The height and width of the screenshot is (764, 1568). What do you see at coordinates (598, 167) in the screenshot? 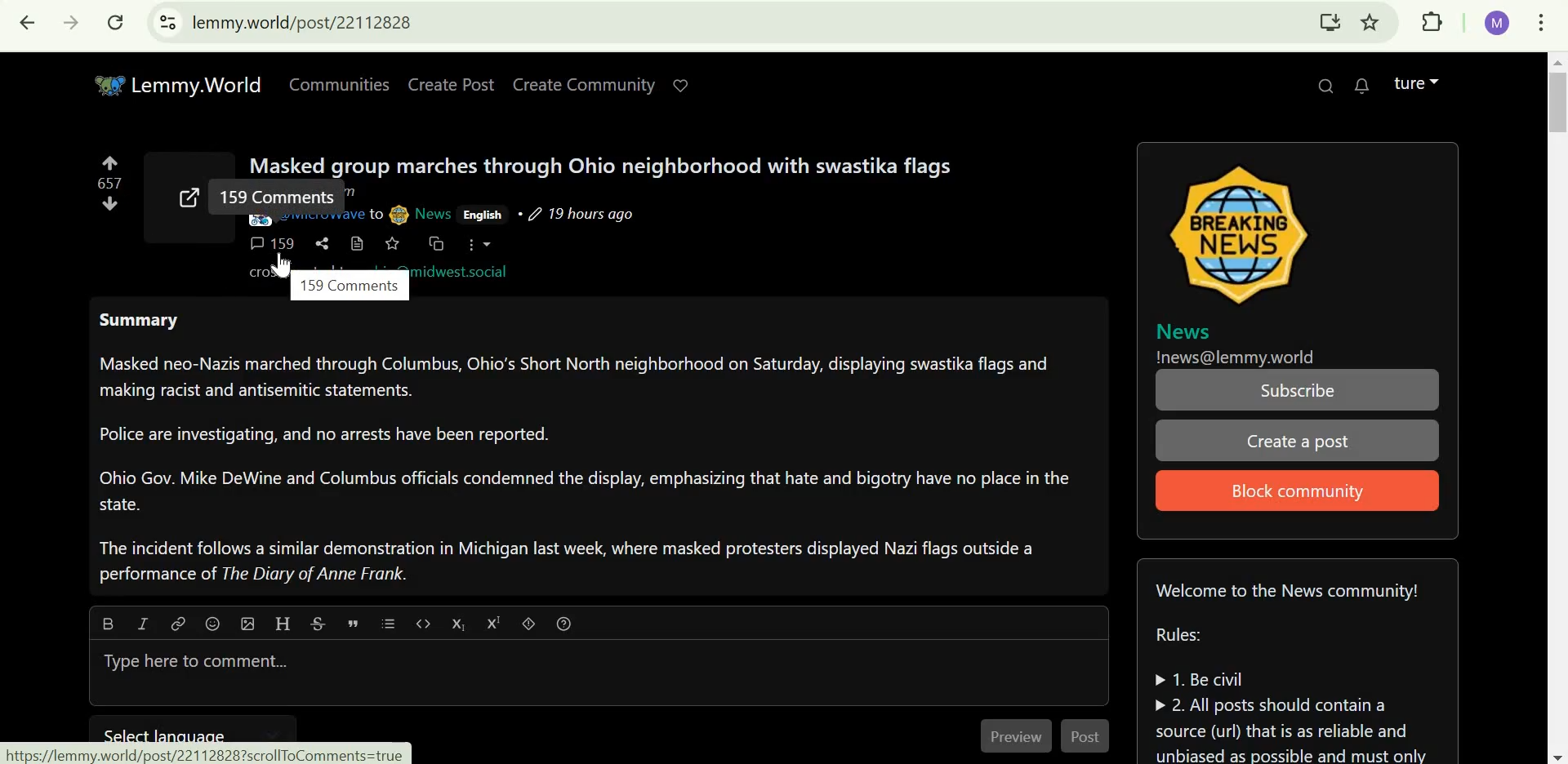
I see `Masked group marches through Ohio neighborhood with swastika flags` at bounding box center [598, 167].